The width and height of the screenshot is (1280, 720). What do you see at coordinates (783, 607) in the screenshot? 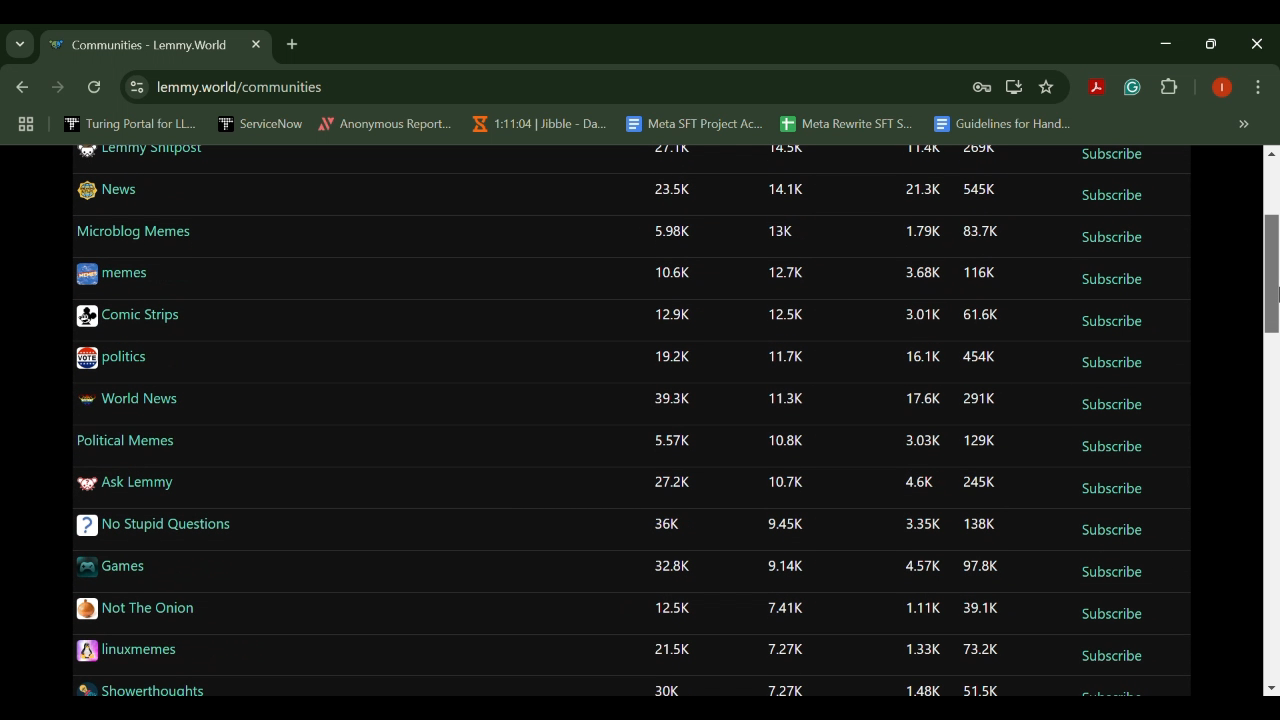
I see `7.41K` at bounding box center [783, 607].